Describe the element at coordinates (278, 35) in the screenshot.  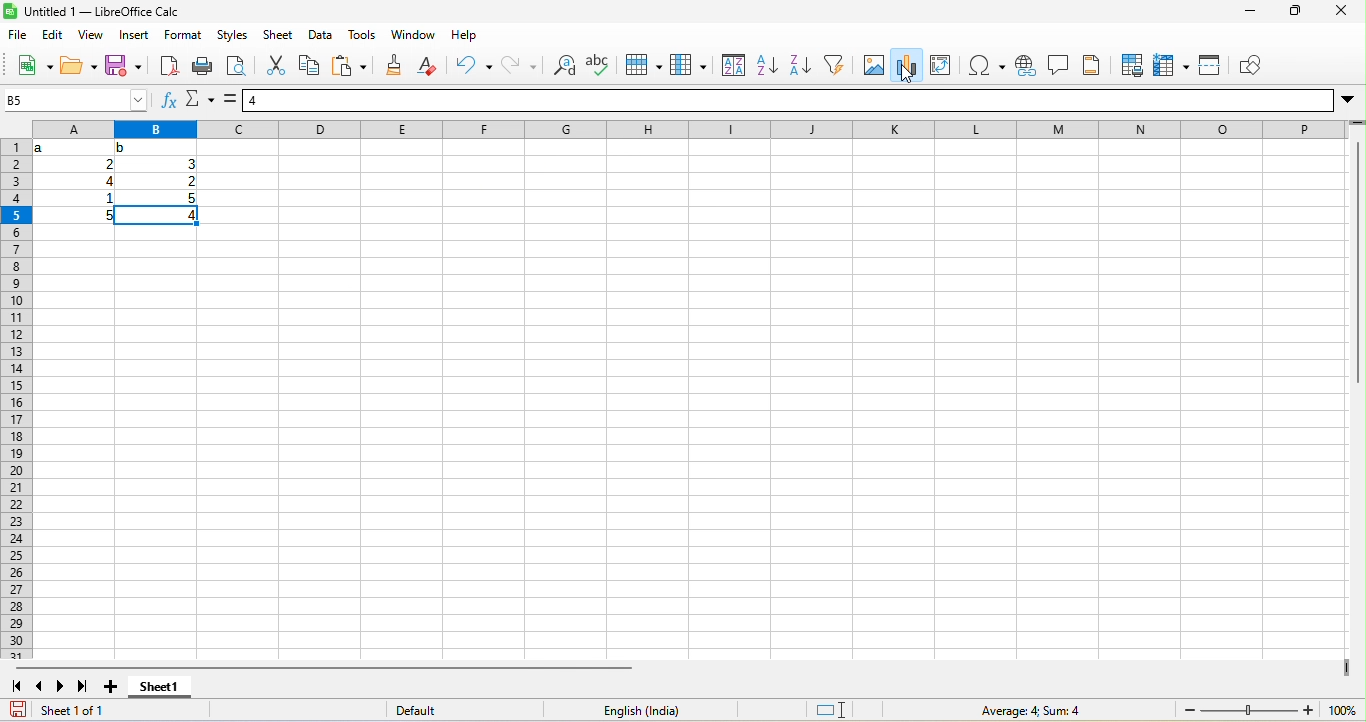
I see `sheet` at that location.